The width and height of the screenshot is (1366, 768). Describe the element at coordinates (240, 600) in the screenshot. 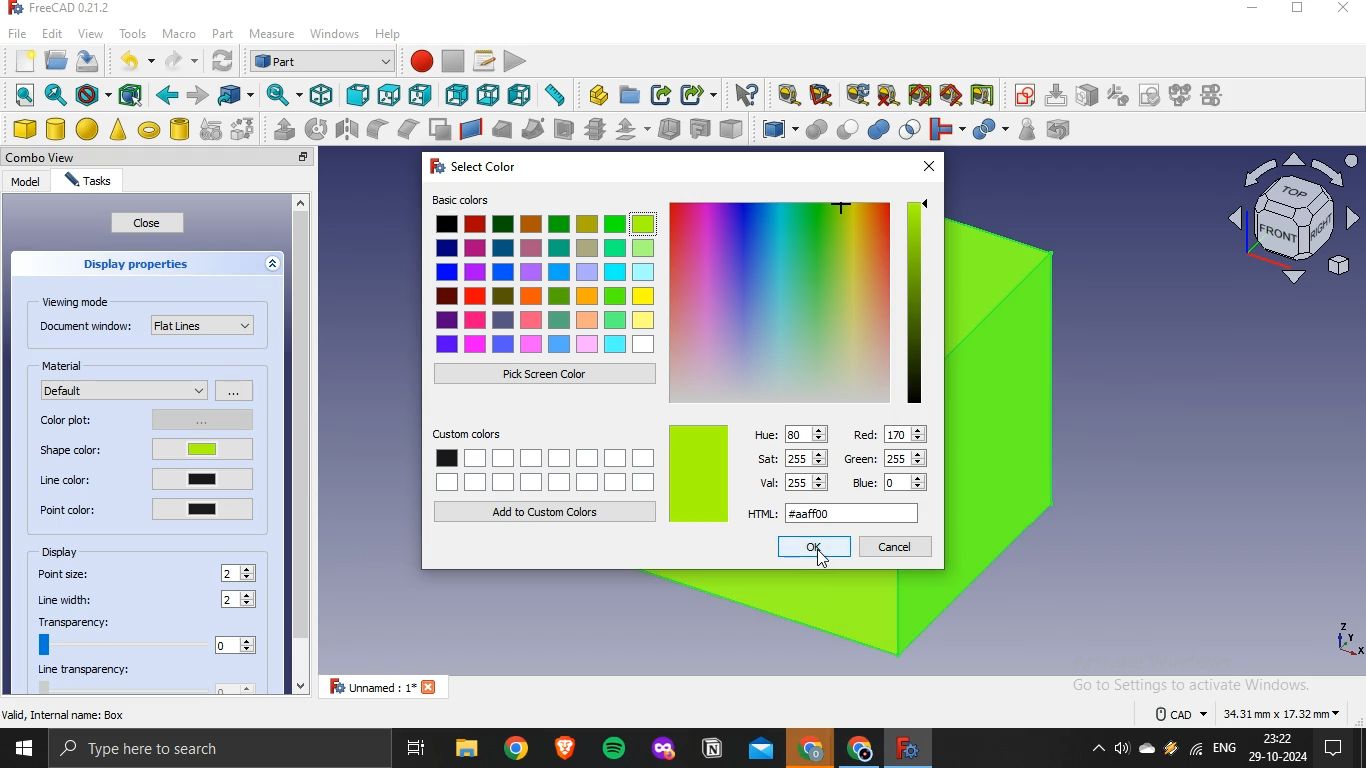

I see `2` at that location.